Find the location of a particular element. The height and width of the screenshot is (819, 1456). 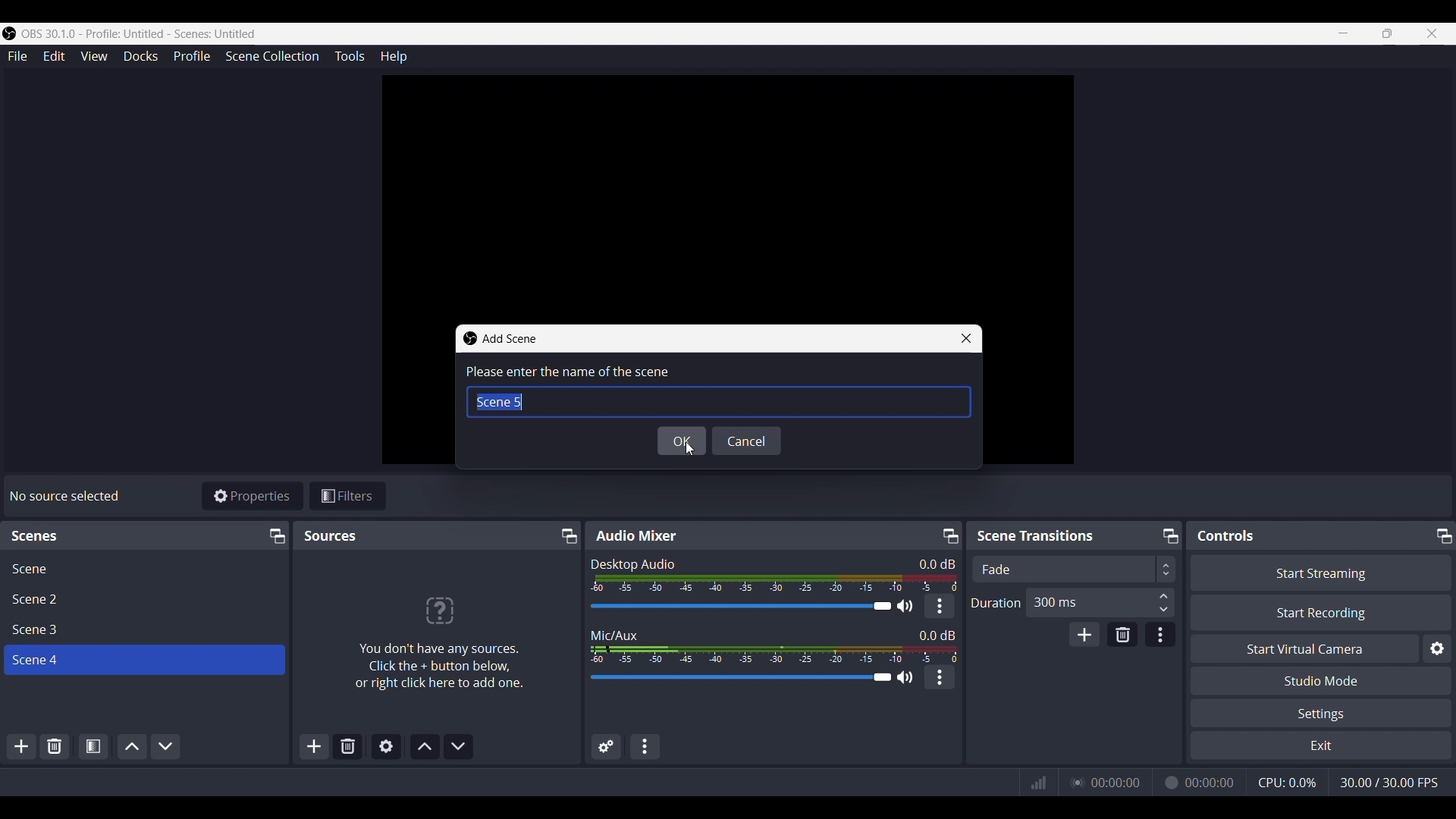

More is located at coordinates (940, 677).